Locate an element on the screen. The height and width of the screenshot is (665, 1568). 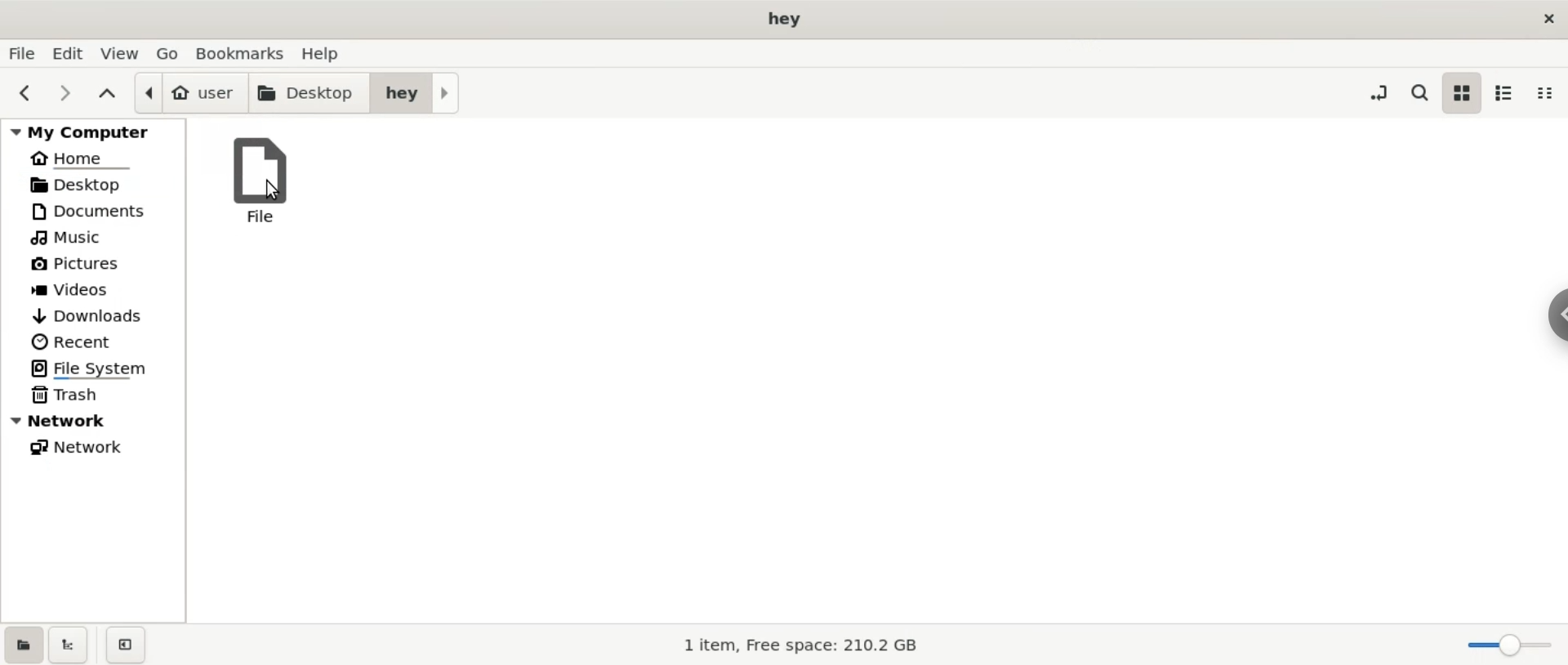
documents is located at coordinates (94, 210).